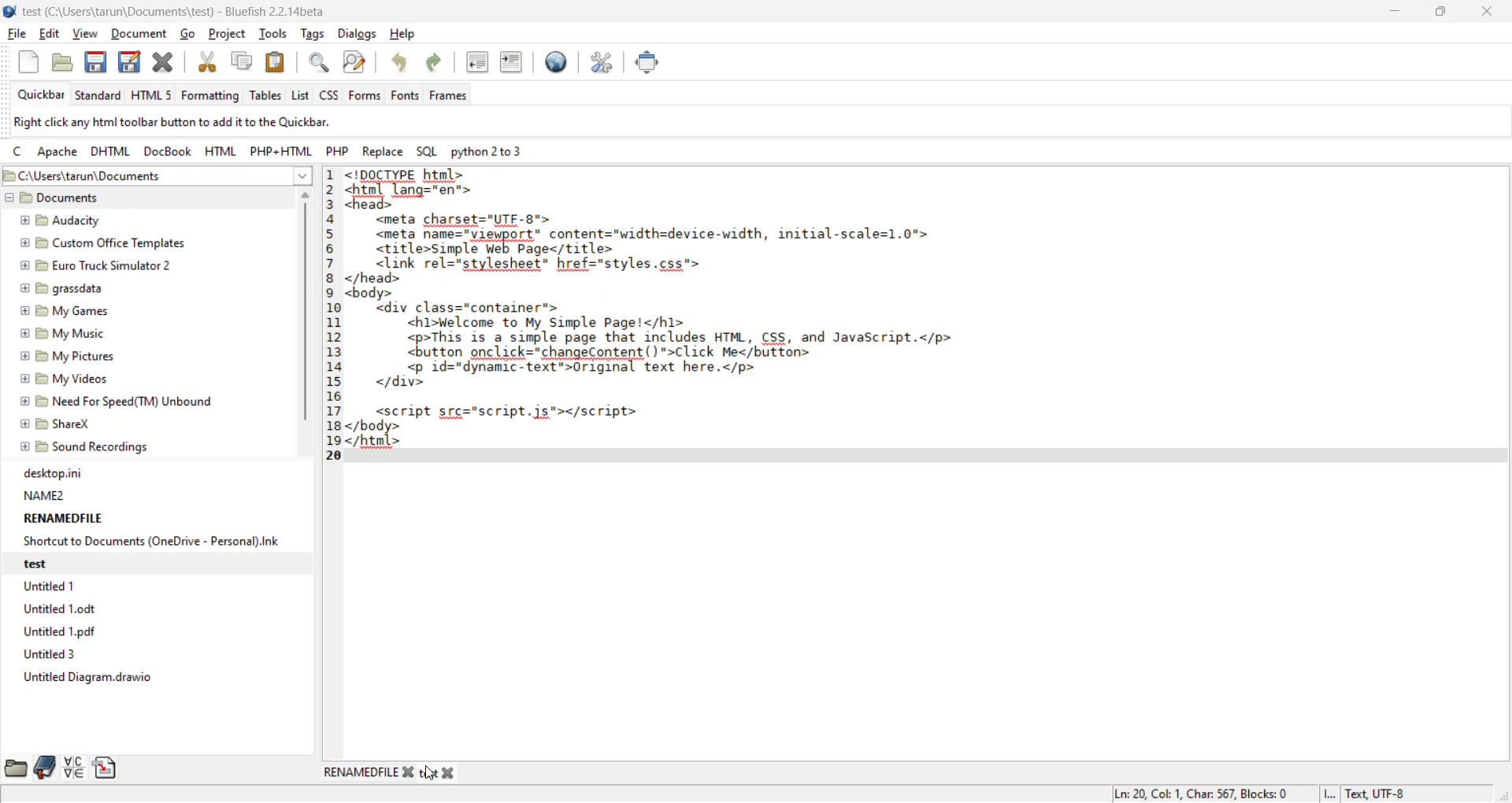  What do you see at coordinates (46, 492) in the screenshot?
I see `NAME2` at bounding box center [46, 492].